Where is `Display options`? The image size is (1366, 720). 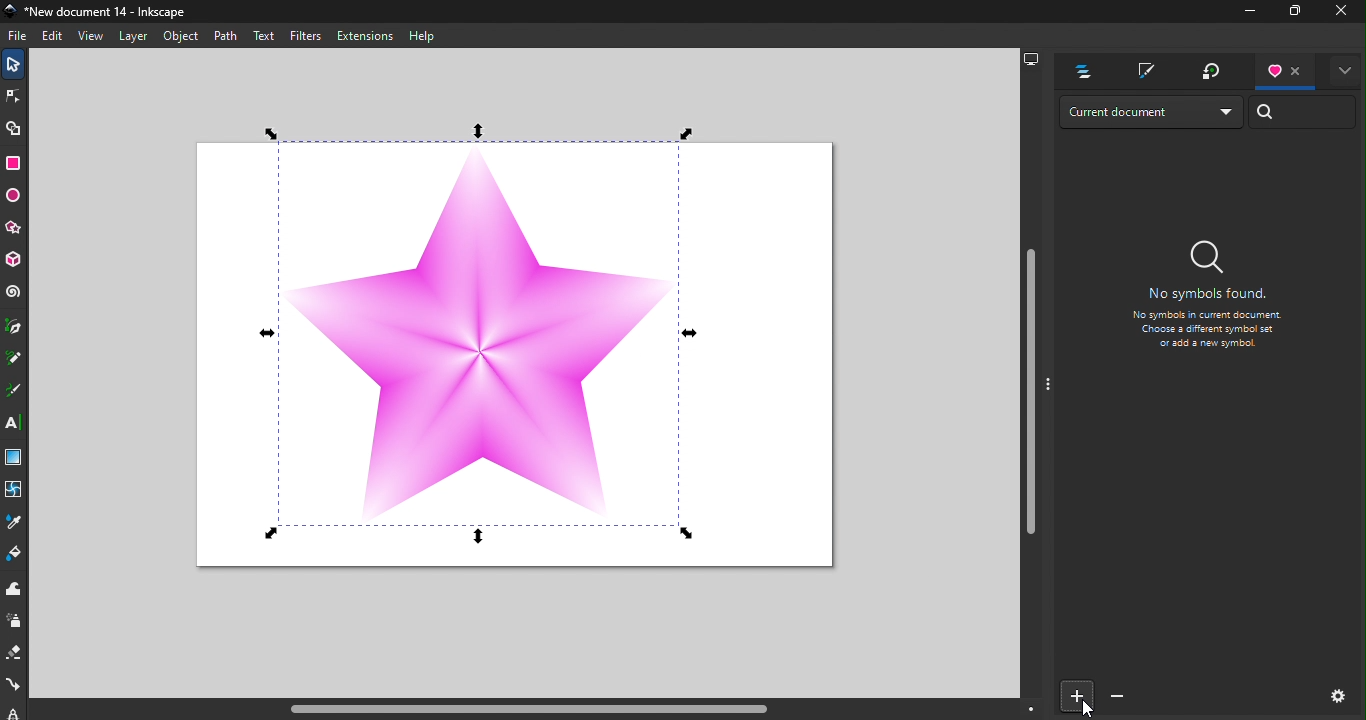 Display options is located at coordinates (1035, 59).